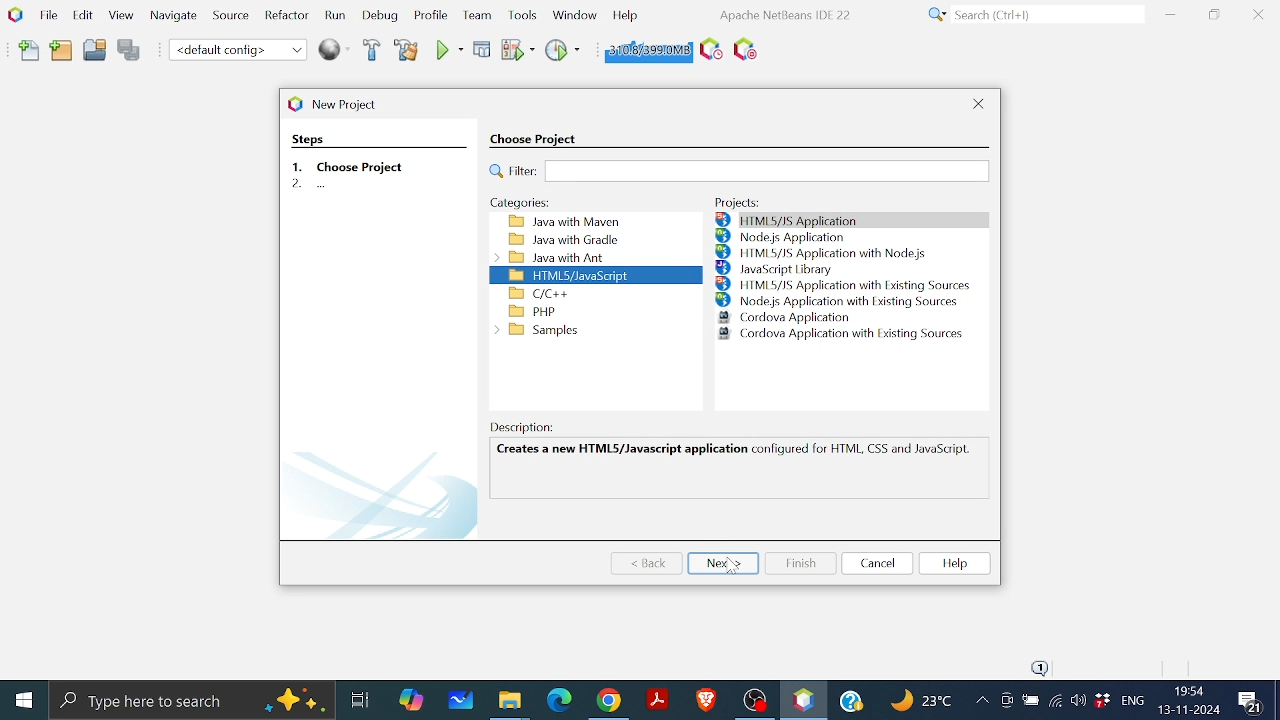 This screenshot has height=720, width=1280. I want to click on Run project, so click(518, 50).